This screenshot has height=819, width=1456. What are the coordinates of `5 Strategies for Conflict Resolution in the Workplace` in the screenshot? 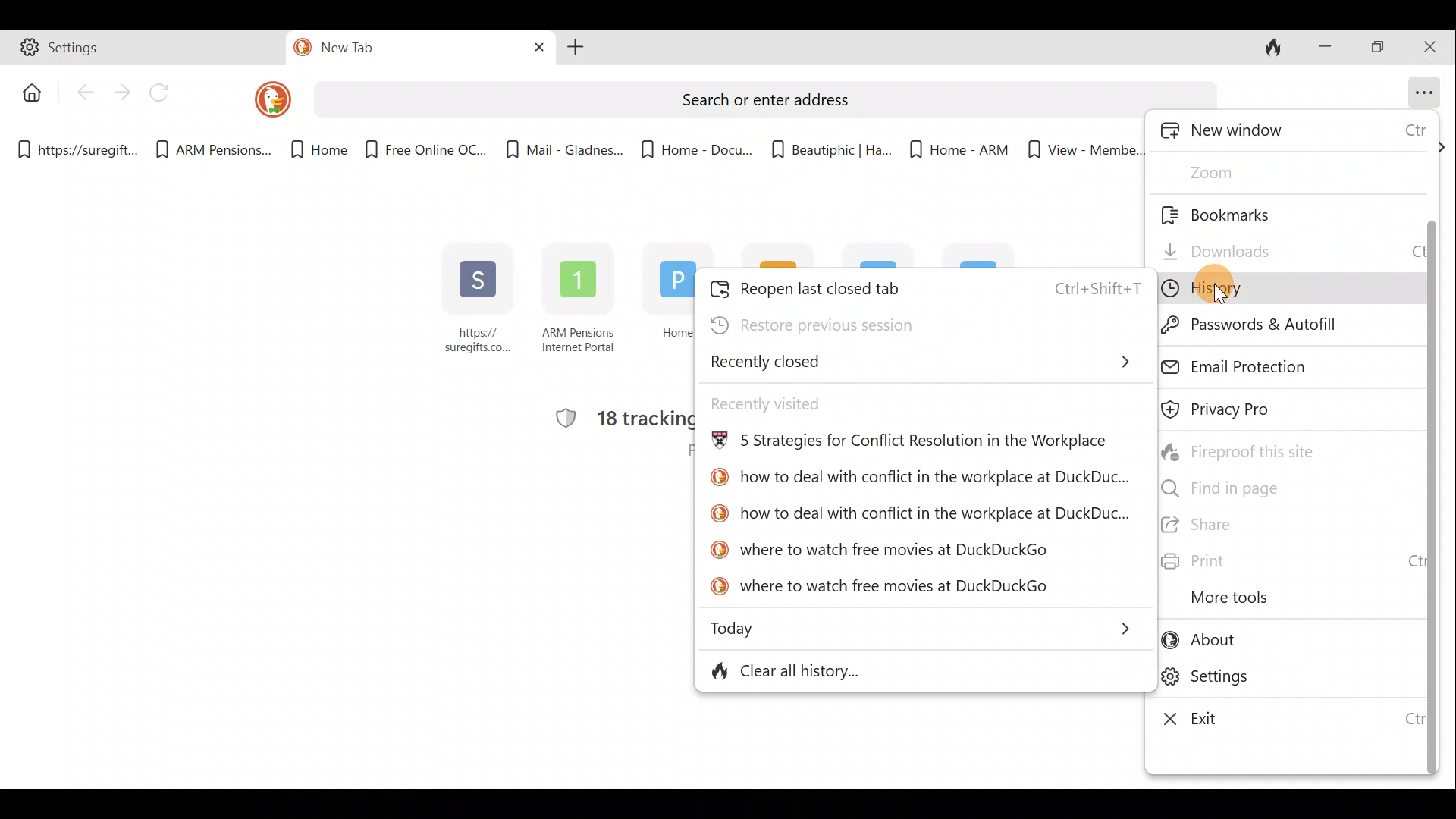 It's located at (910, 444).